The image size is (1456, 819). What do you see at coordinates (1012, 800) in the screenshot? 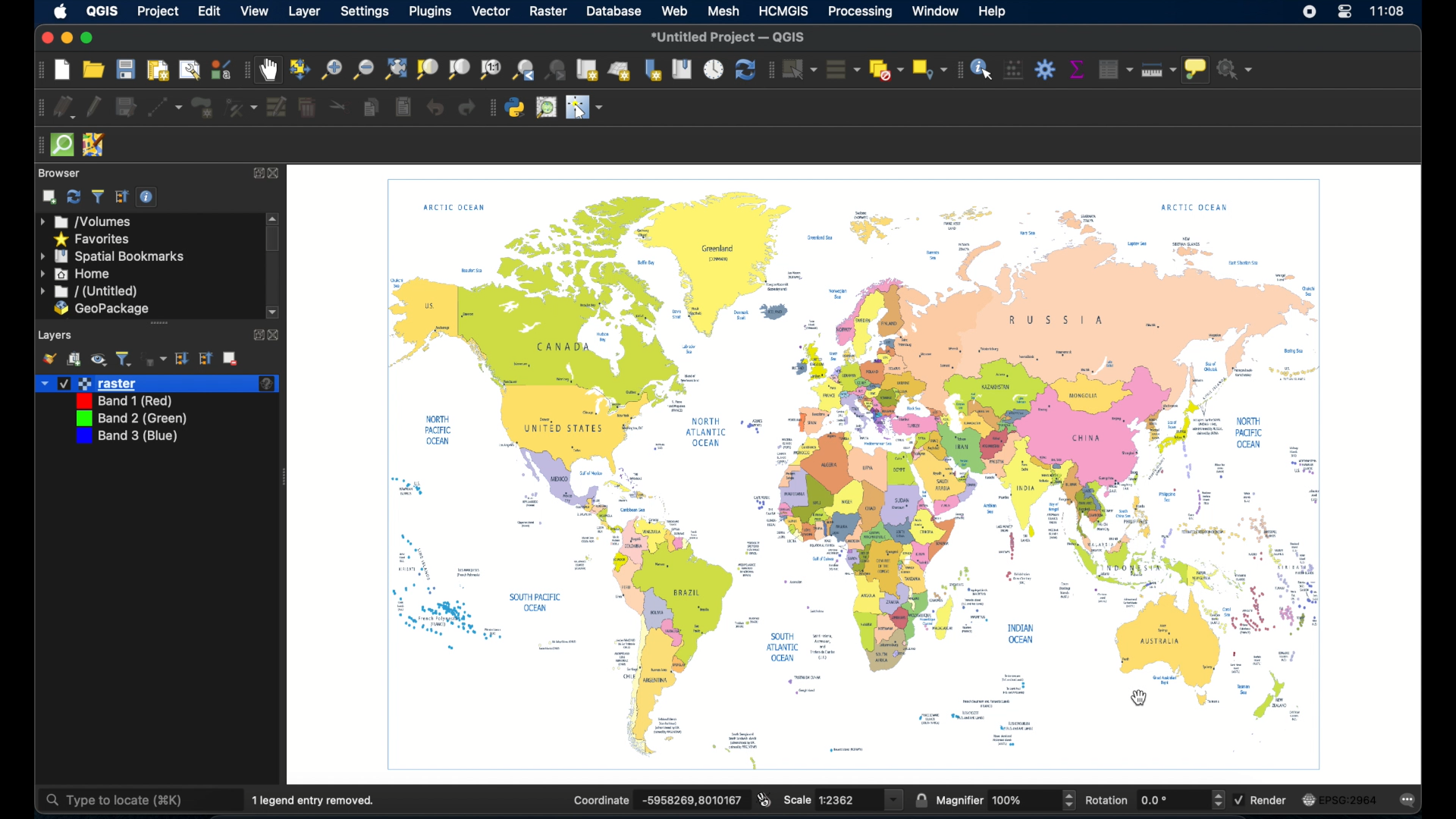
I see `` at bounding box center [1012, 800].